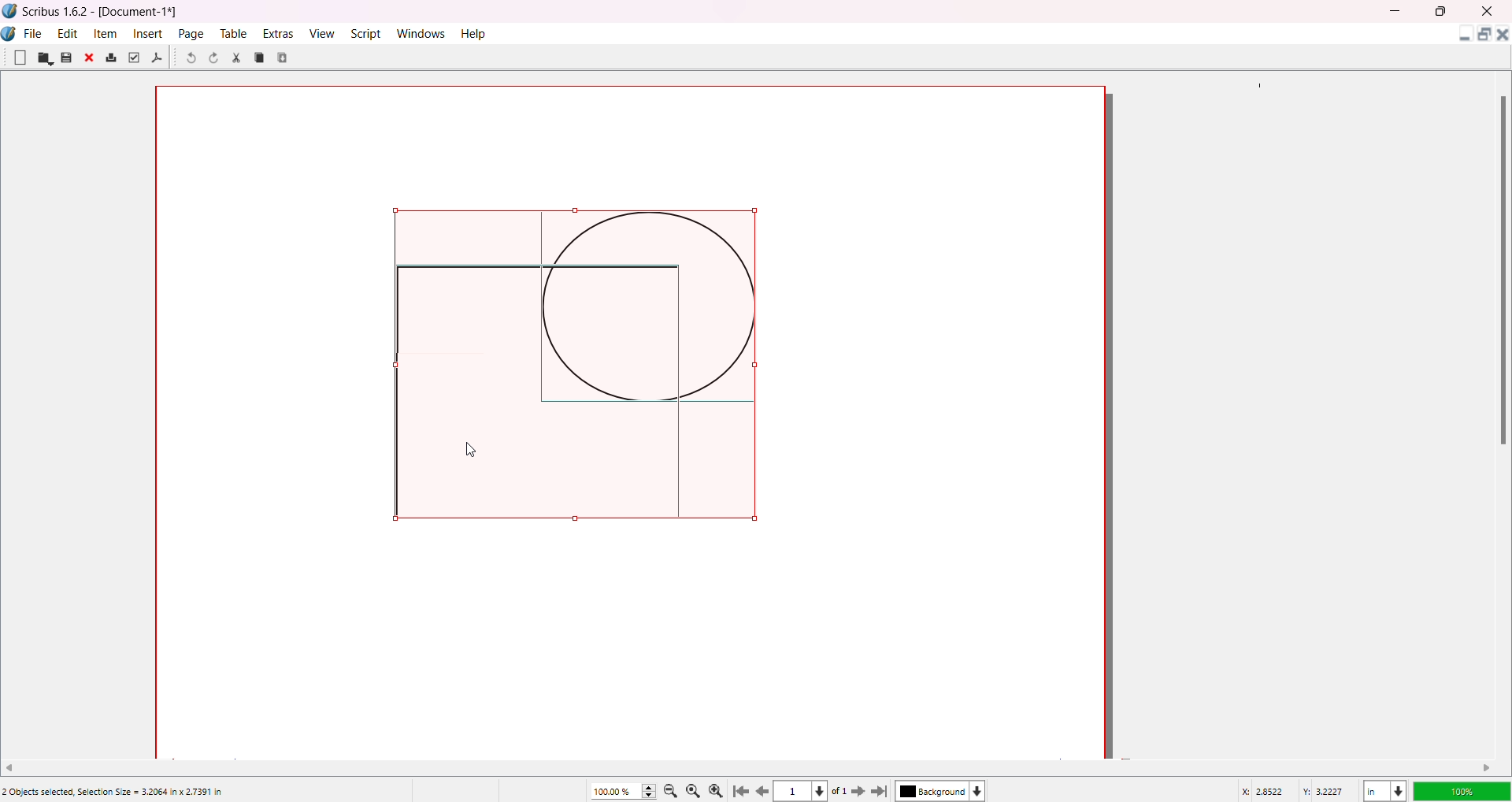  Describe the element at coordinates (944, 791) in the screenshot. I see `Background color` at that location.